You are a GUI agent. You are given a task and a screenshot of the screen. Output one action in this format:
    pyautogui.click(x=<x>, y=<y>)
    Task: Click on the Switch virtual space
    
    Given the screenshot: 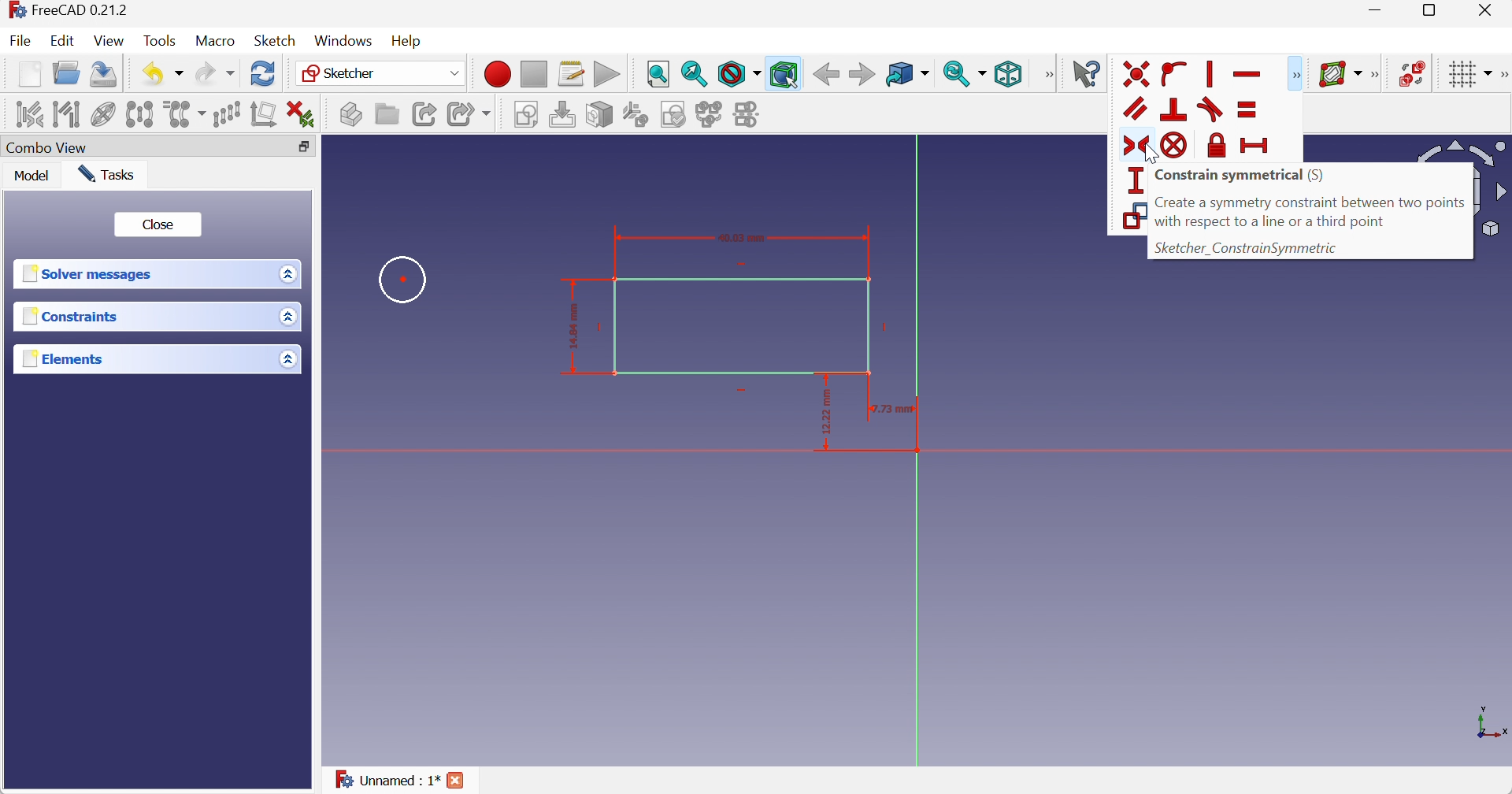 What is the action you would take?
    pyautogui.click(x=1412, y=73)
    